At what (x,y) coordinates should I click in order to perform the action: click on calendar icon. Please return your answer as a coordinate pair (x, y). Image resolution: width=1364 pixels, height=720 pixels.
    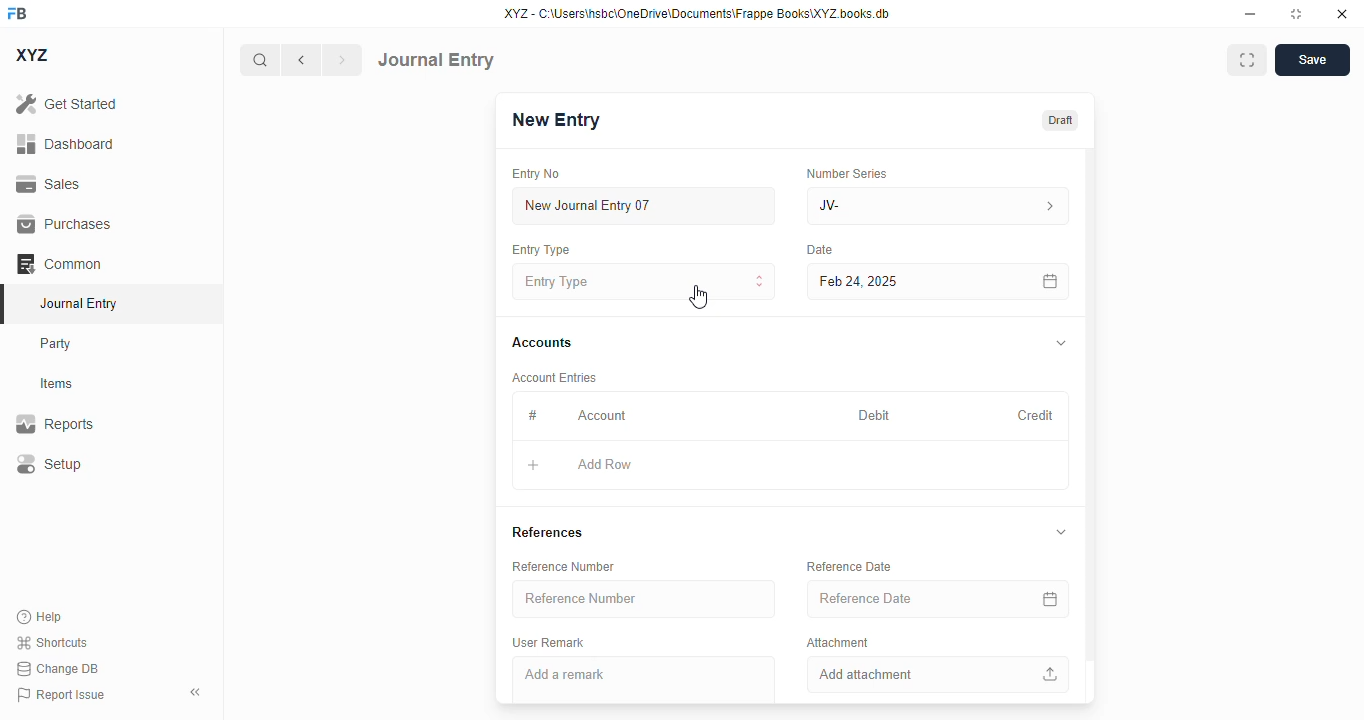
    Looking at the image, I should click on (1051, 281).